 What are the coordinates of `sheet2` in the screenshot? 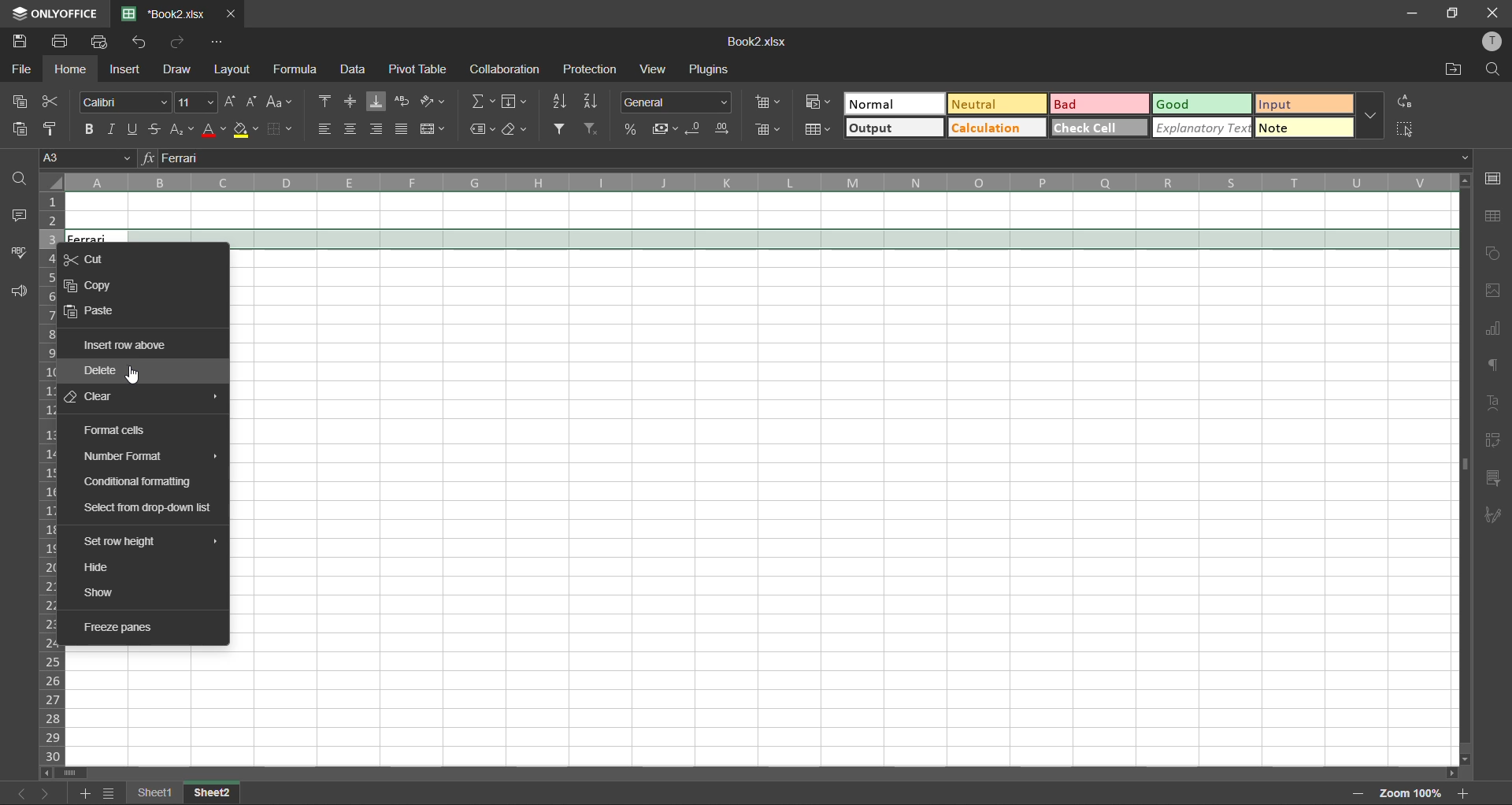 It's located at (214, 790).